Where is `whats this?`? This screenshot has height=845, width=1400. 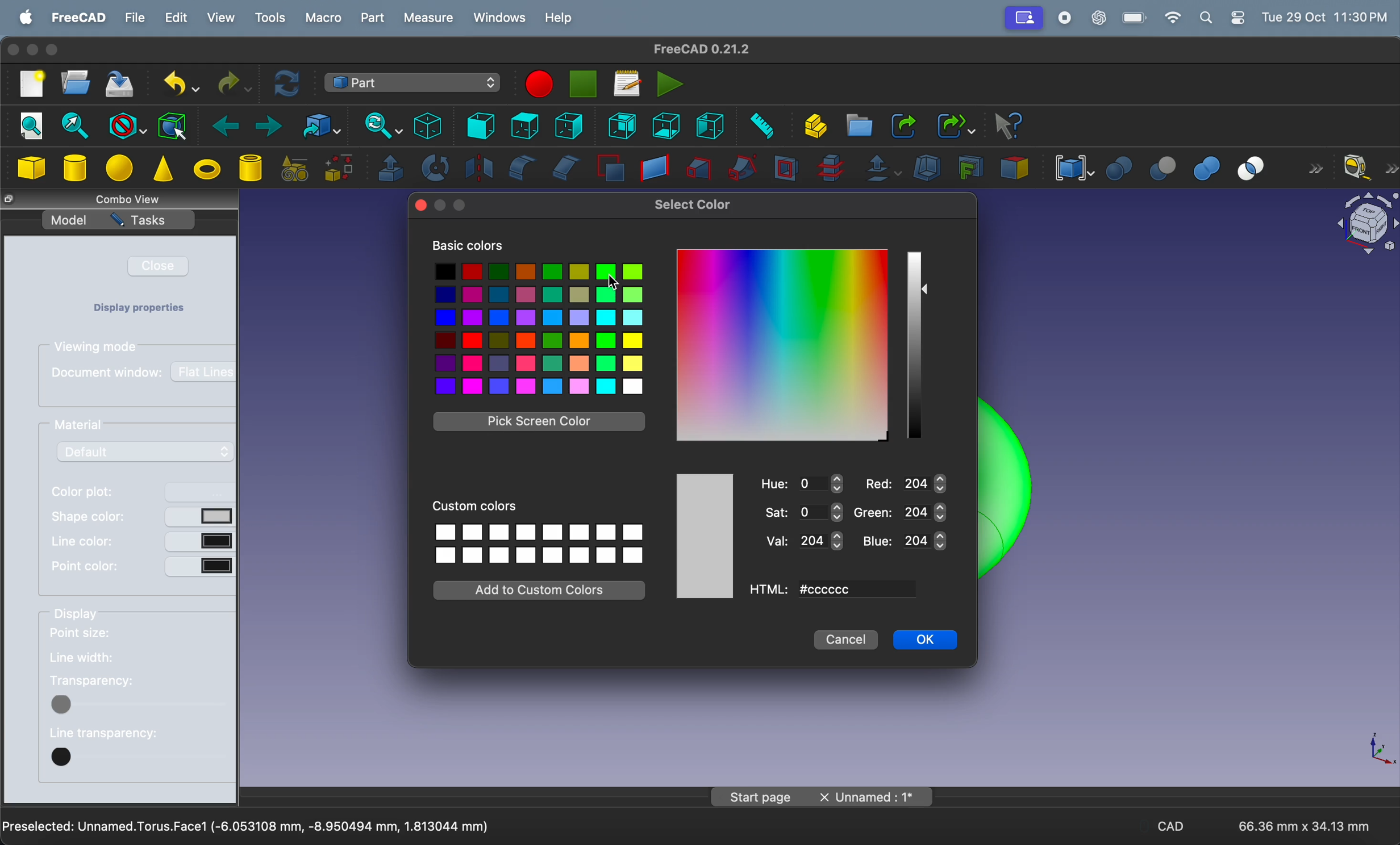
whats this? is located at coordinates (1009, 126).